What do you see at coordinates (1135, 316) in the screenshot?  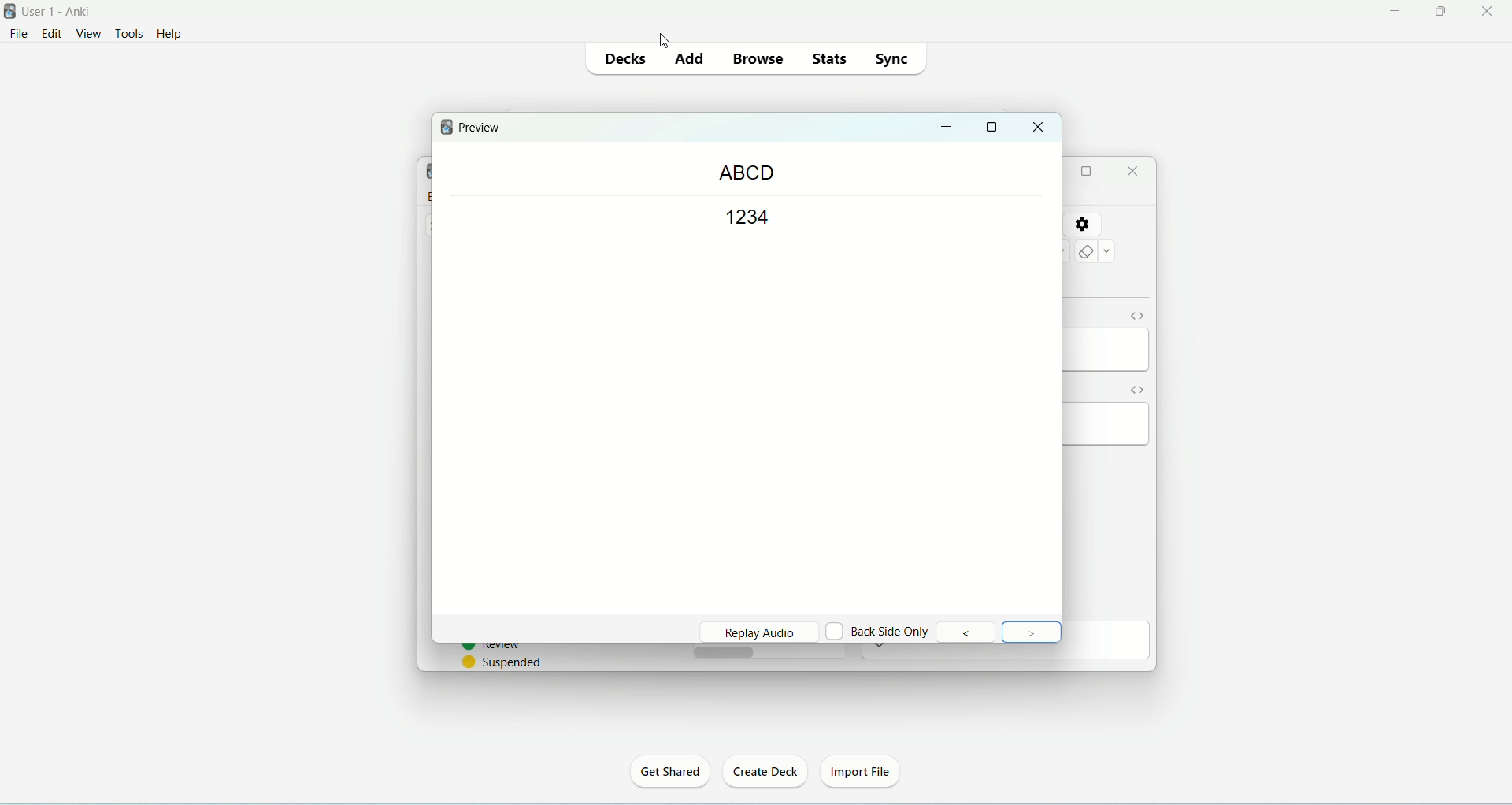 I see `HTML editor` at bounding box center [1135, 316].